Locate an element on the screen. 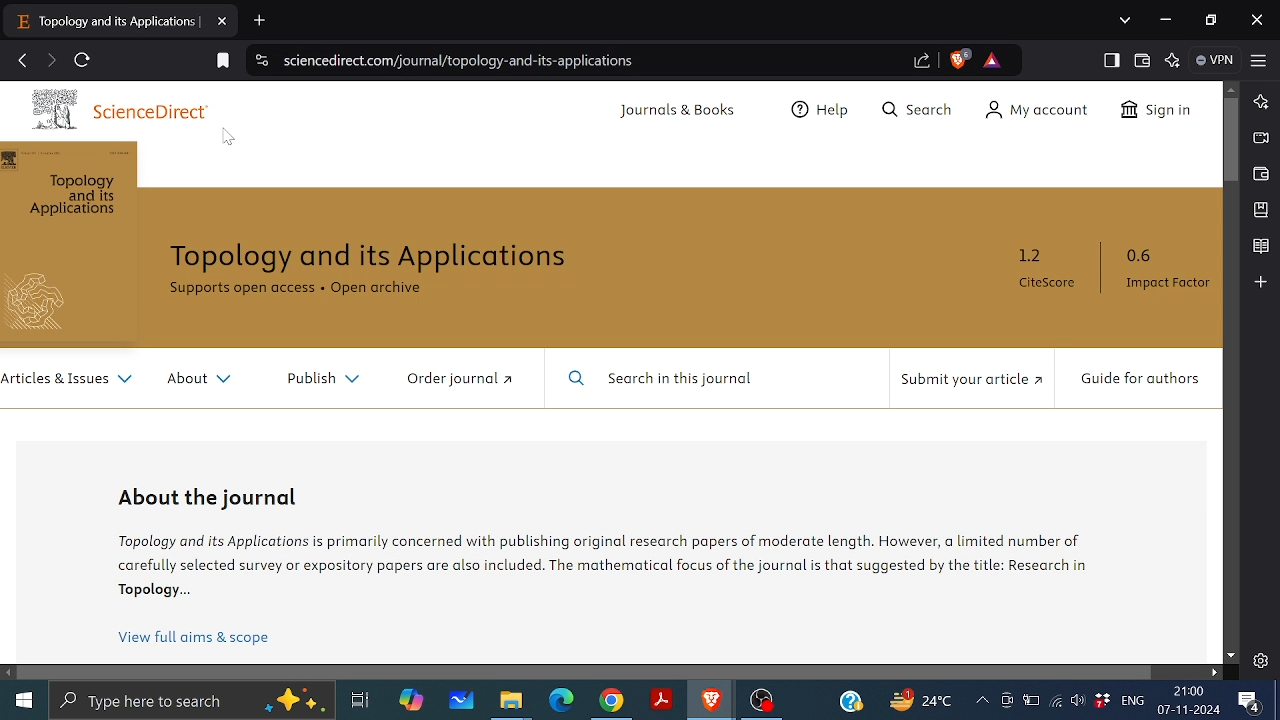 The image size is (1280, 720). Customize and control brave is located at coordinates (1258, 58).